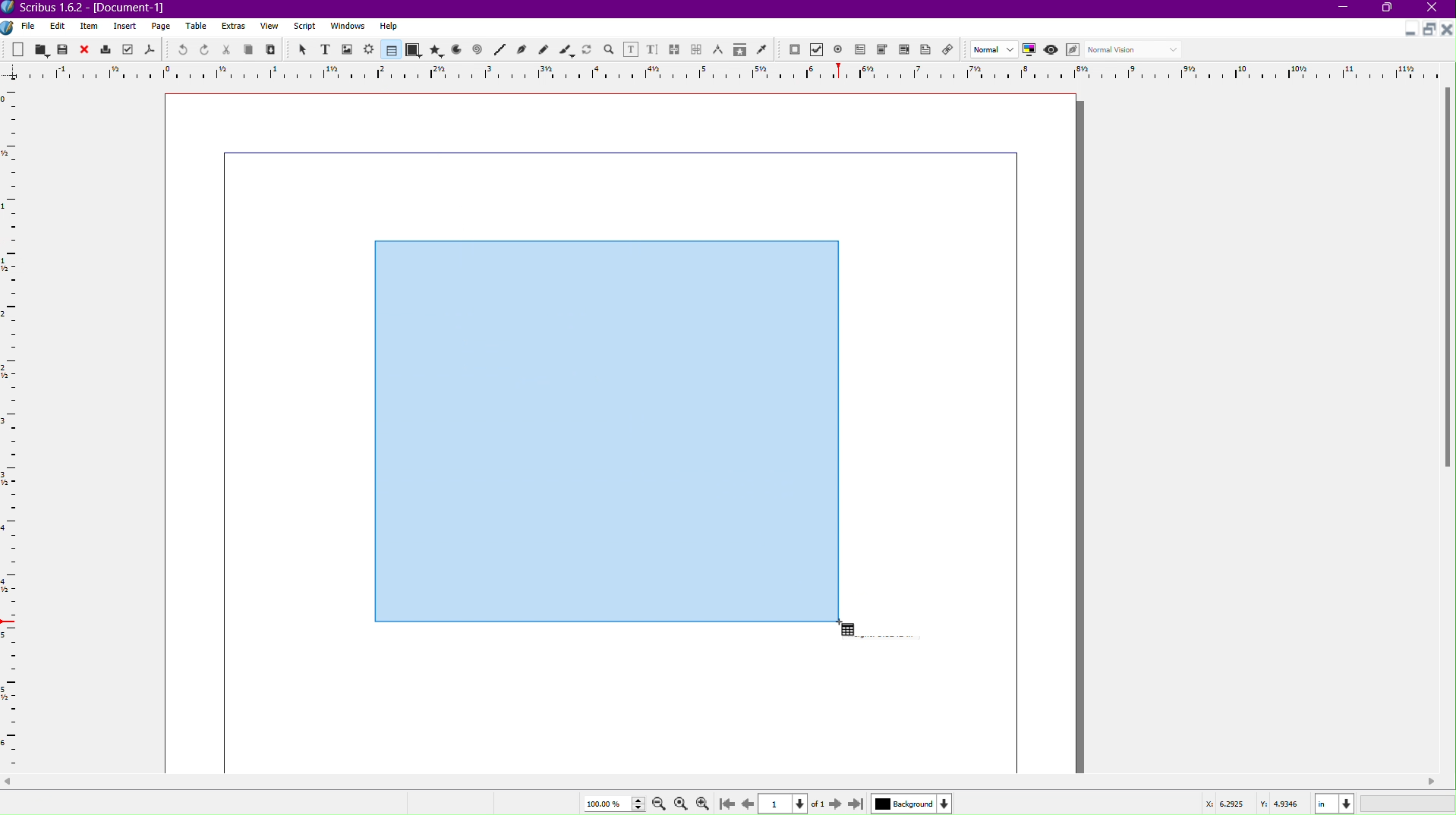  Describe the element at coordinates (609, 49) in the screenshot. I see `Zoom in or out` at that location.